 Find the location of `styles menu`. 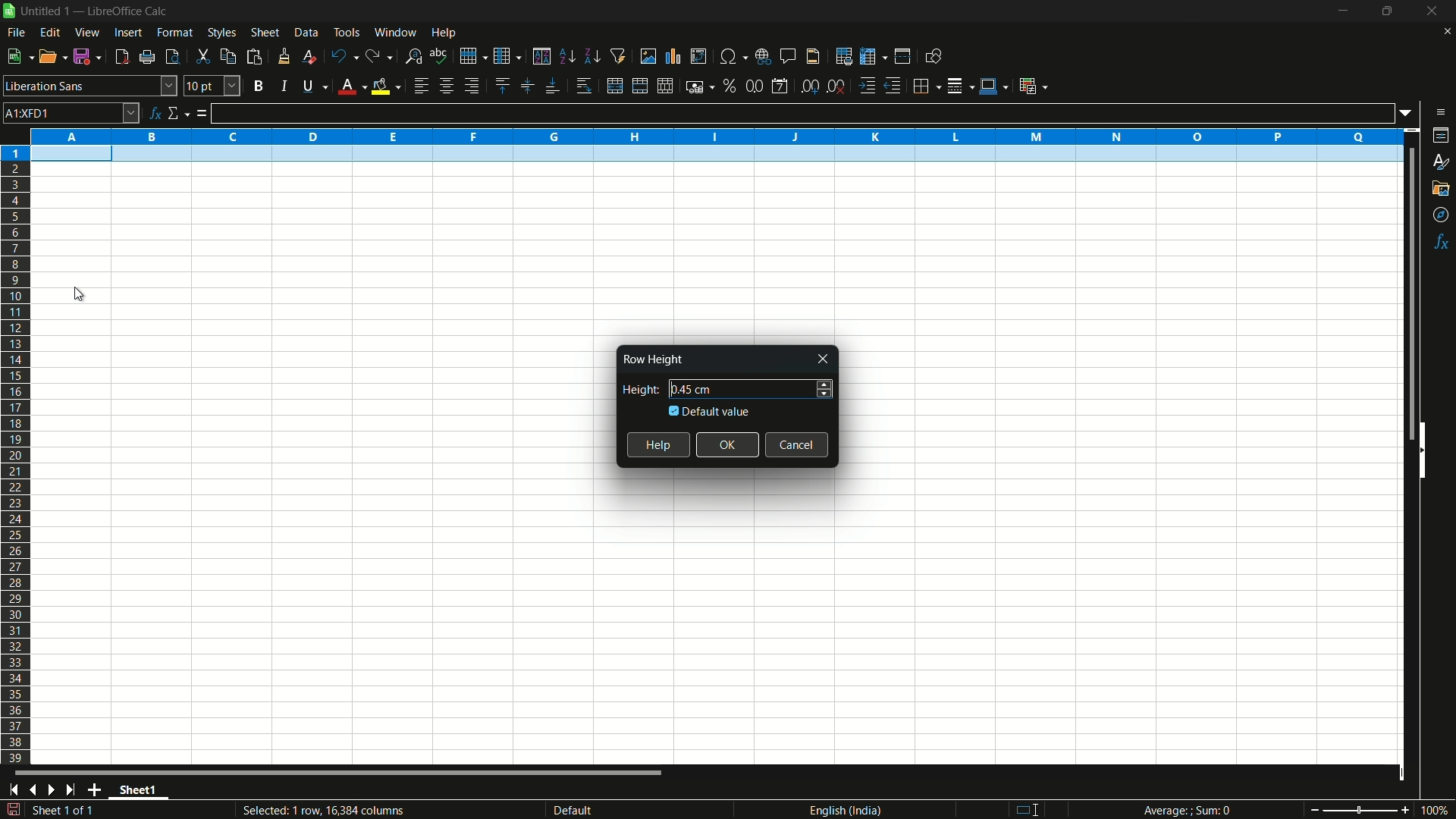

styles menu is located at coordinates (222, 33).